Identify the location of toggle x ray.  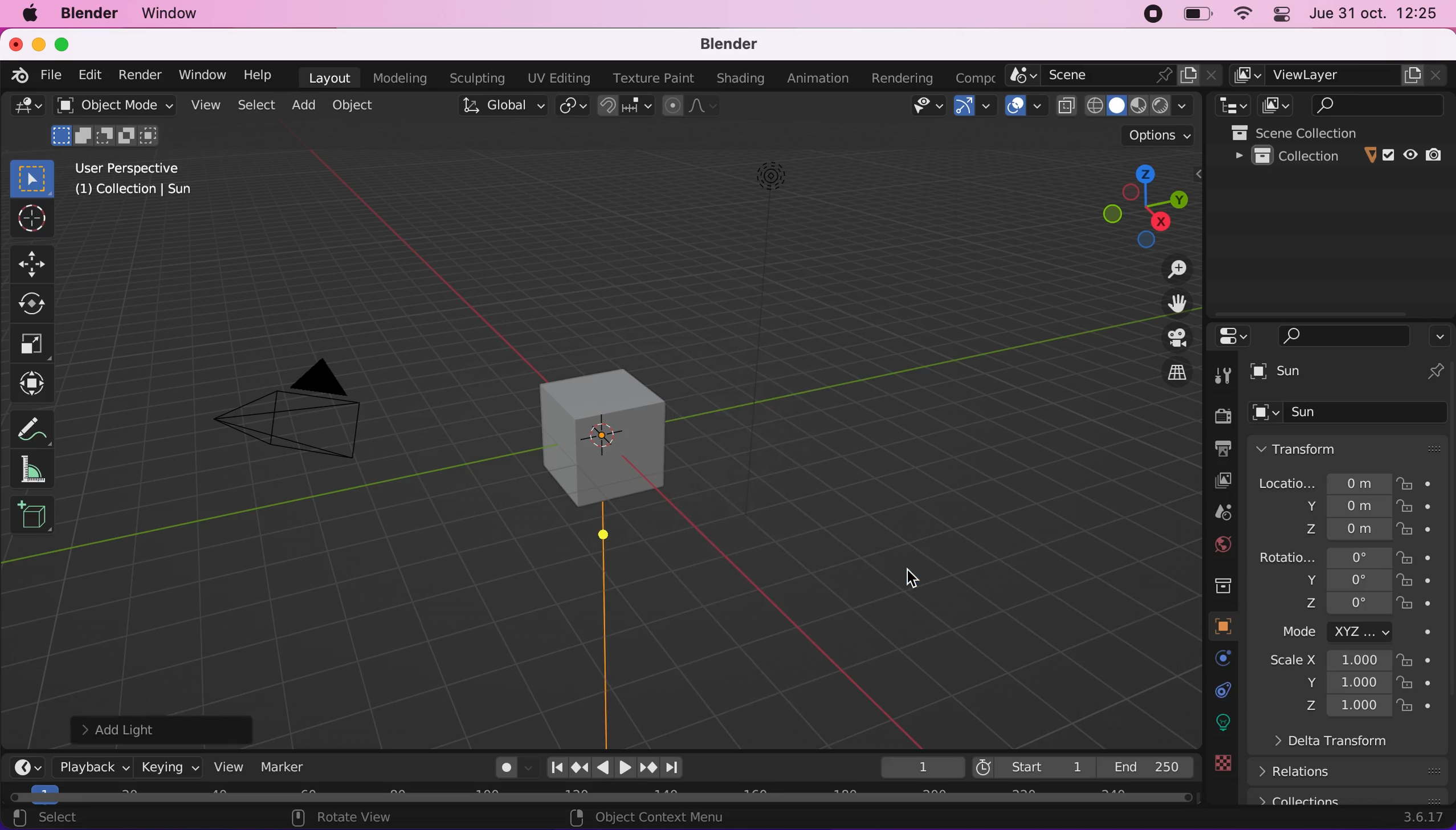
(1066, 105).